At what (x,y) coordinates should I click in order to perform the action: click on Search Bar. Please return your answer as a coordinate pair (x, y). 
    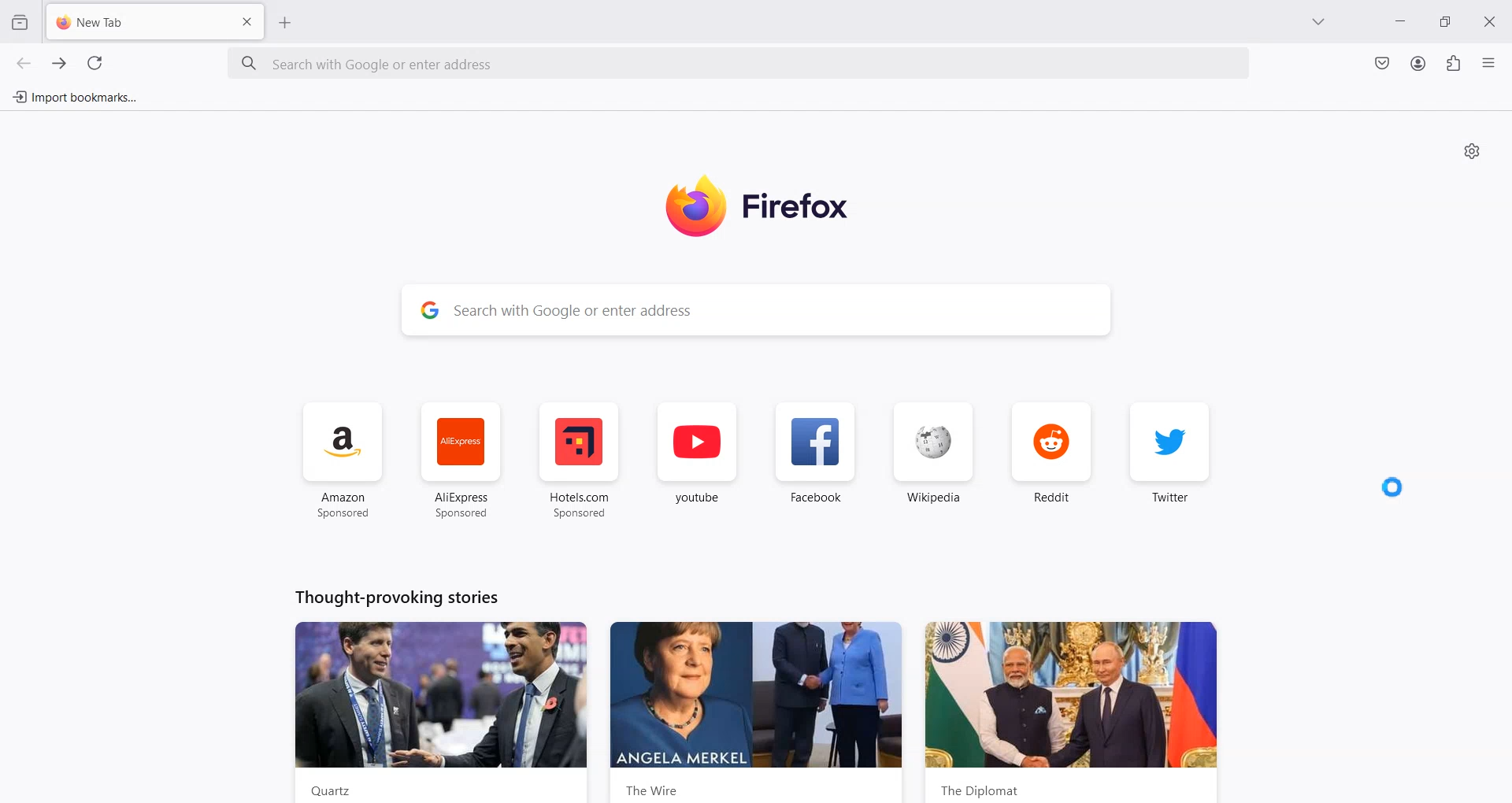
    Looking at the image, I should click on (781, 313).